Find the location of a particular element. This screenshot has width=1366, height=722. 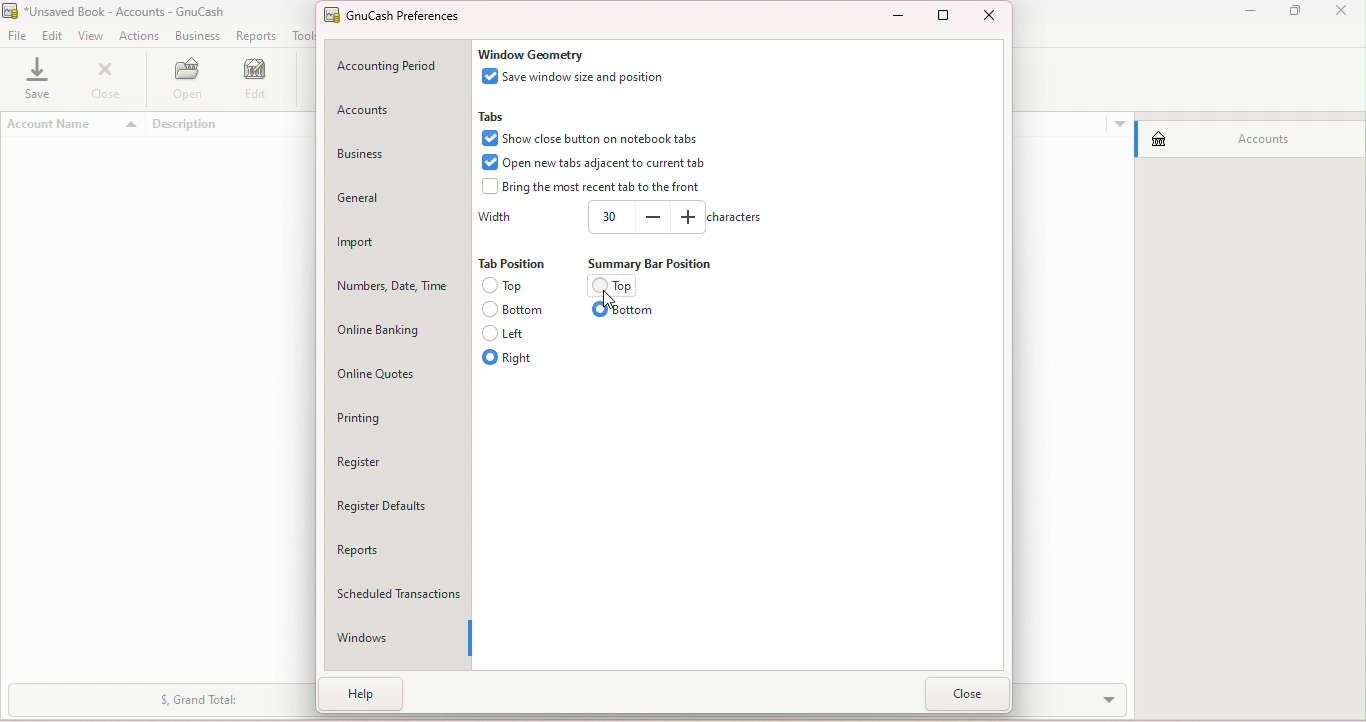

Summary bar drop down is located at coordinates (154, 703).